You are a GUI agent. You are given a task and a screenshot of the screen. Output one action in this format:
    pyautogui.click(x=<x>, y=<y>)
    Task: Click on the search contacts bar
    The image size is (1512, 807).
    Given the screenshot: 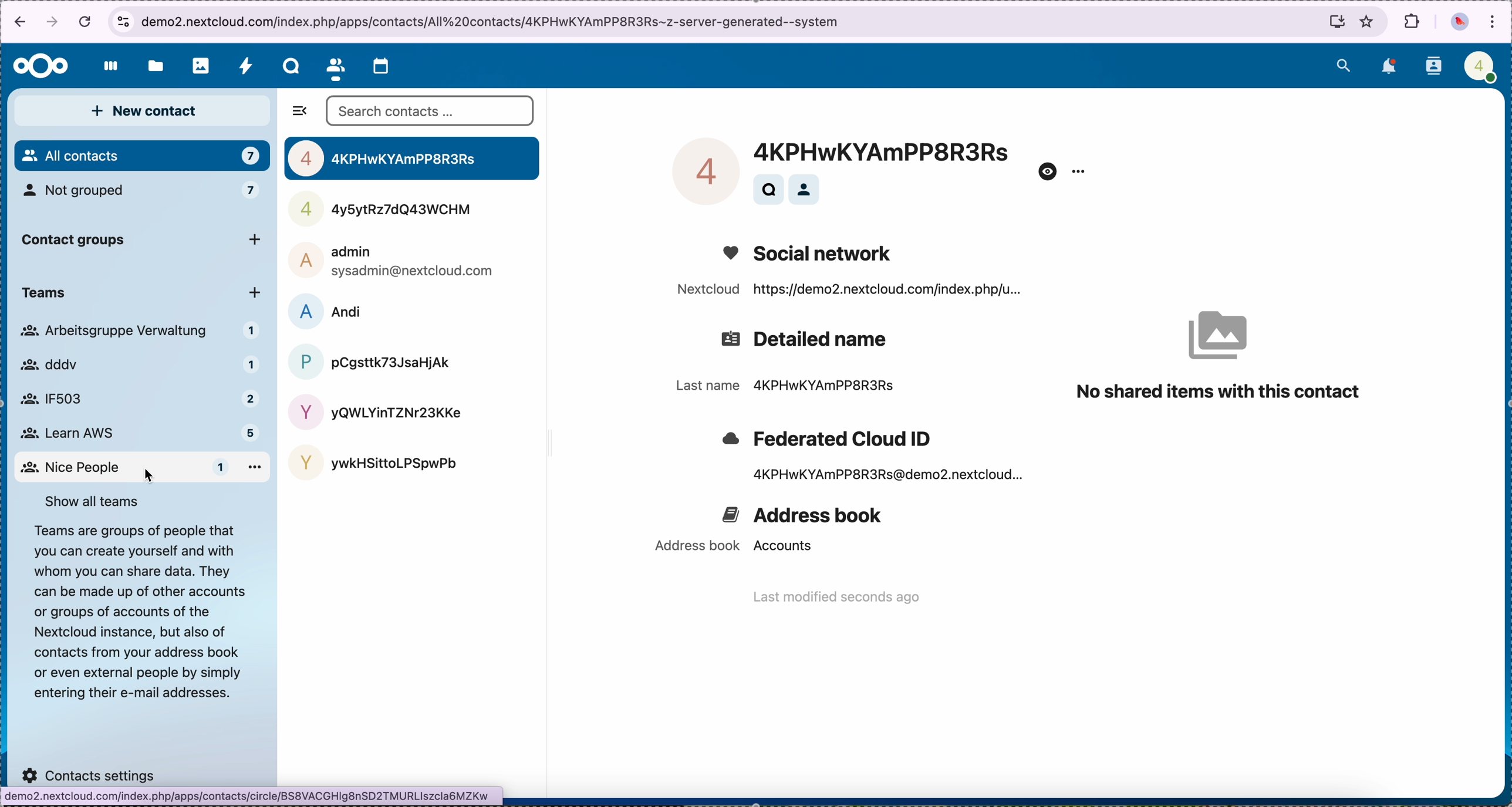 What is the action you would take?
    pyautogui.click(x=433, y=111)
    